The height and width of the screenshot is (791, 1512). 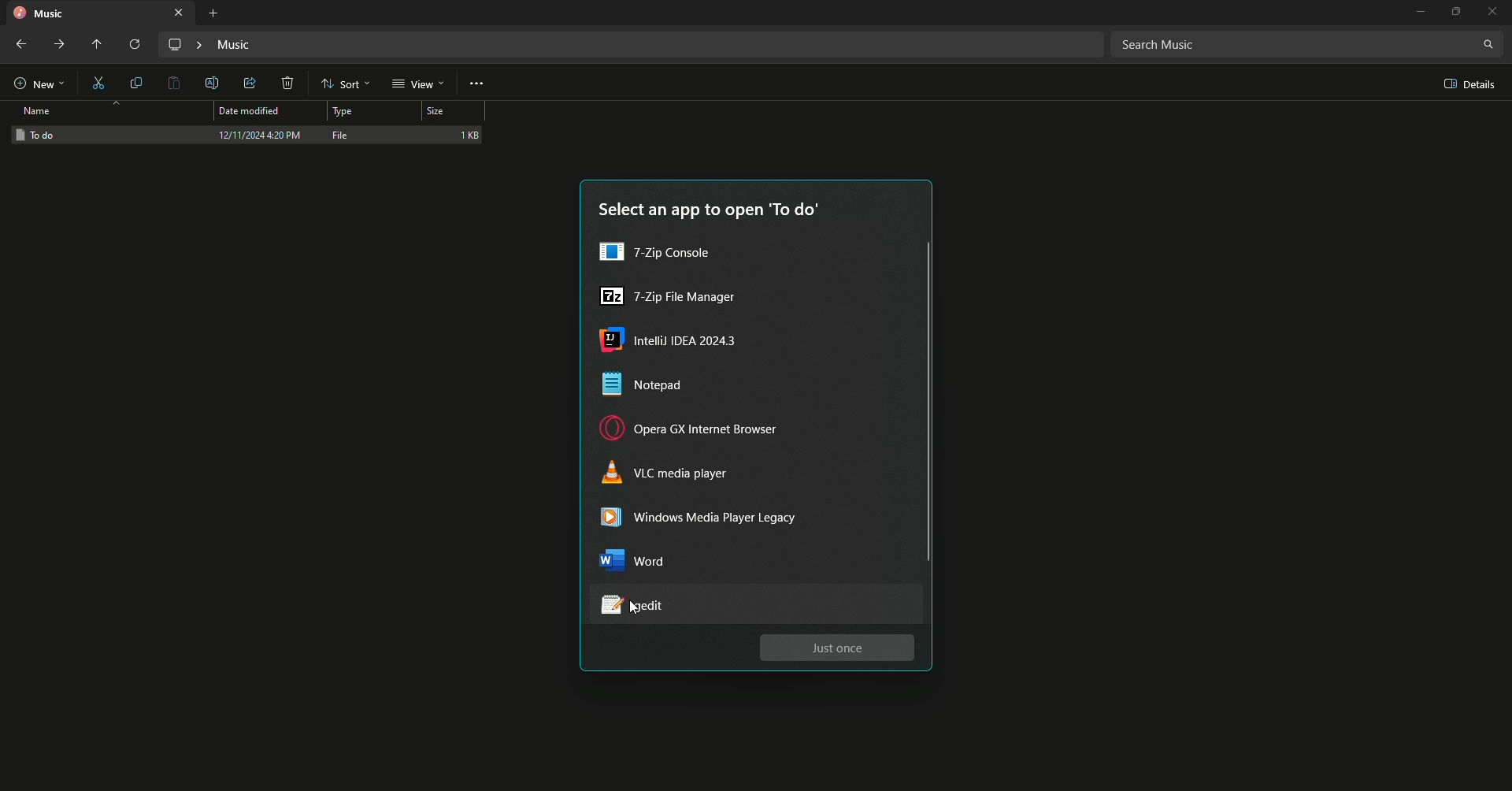 I want to click on 7-zip Console, so click(x=663, y=253).